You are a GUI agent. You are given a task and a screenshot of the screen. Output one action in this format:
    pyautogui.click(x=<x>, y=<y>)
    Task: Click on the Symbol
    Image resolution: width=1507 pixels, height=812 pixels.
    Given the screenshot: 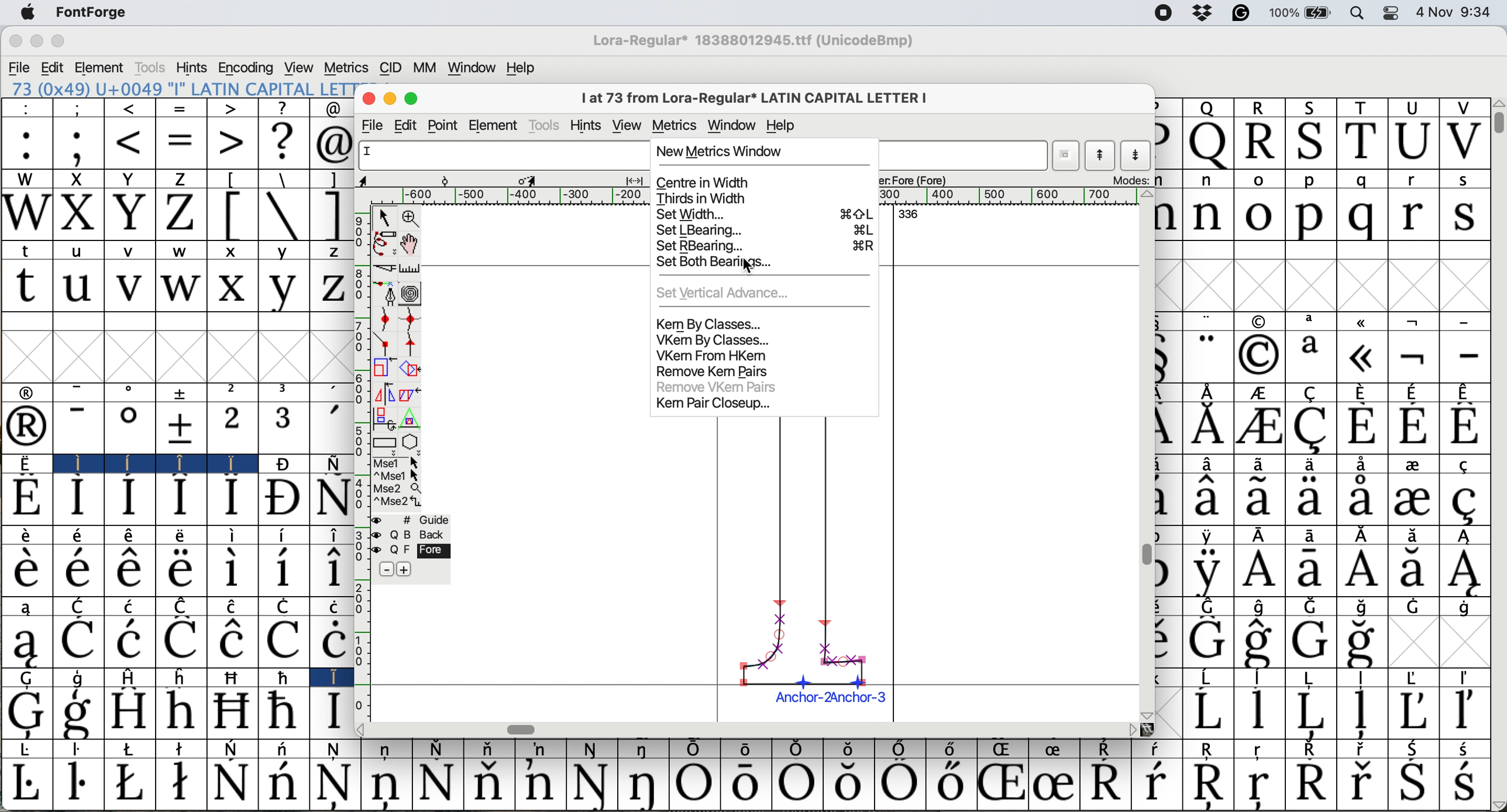 What is the action you would take?
    pyautogui.click(x=1364, y=535)
    